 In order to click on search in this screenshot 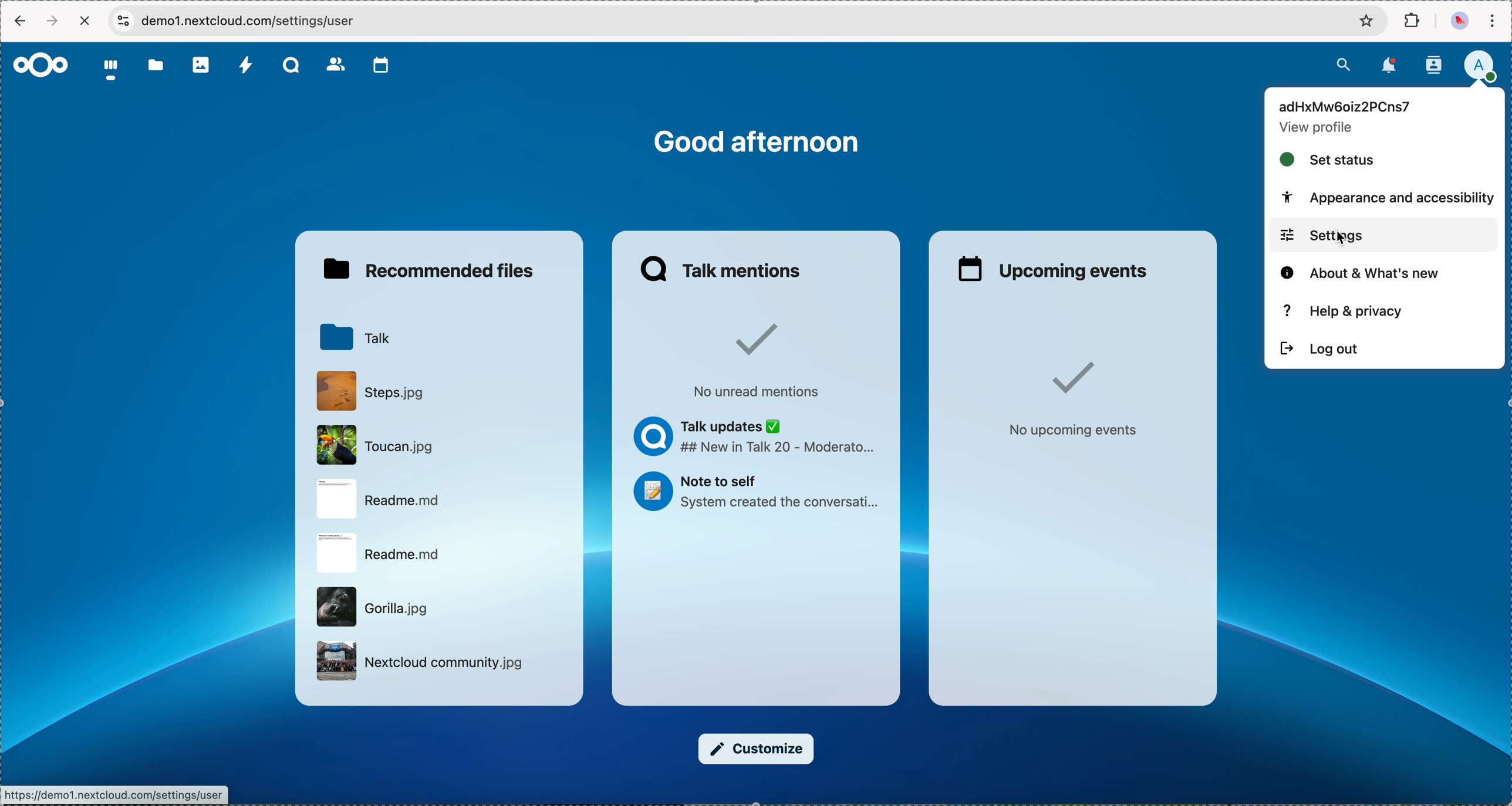, I will do `click(1343, 63)`.